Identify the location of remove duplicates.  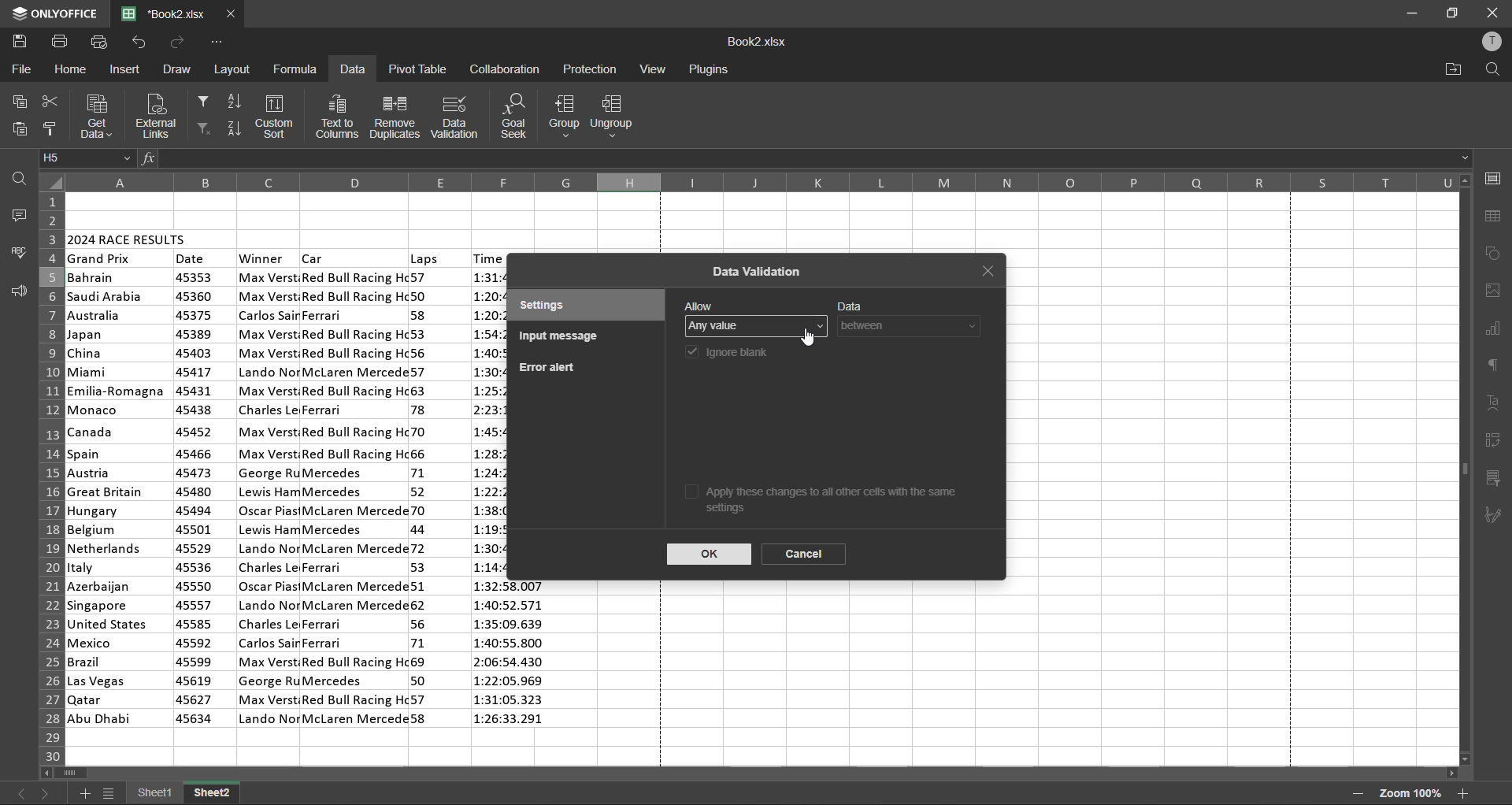
(397, 117).